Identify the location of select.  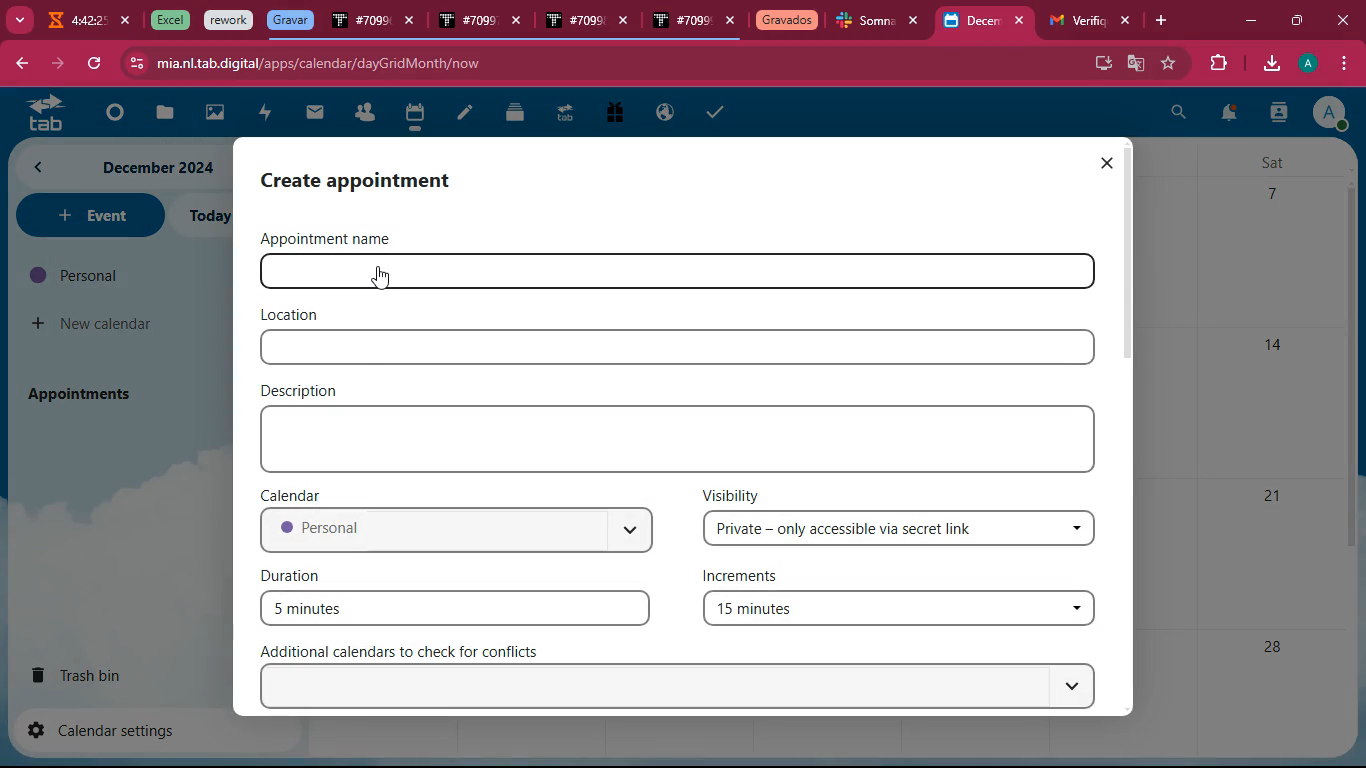
(683, 687).